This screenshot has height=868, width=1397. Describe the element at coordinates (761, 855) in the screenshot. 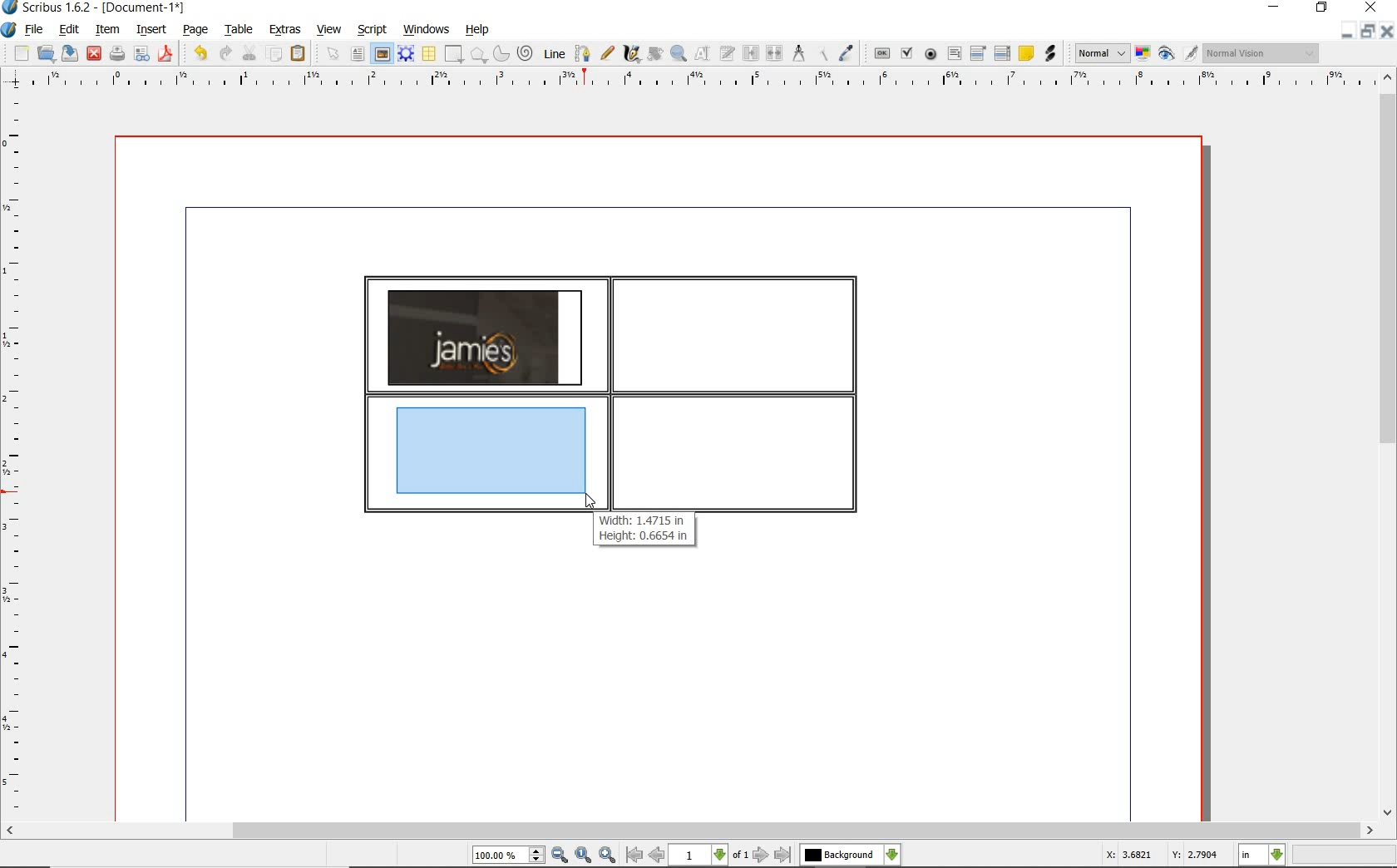

I see `go to next page` at that location.